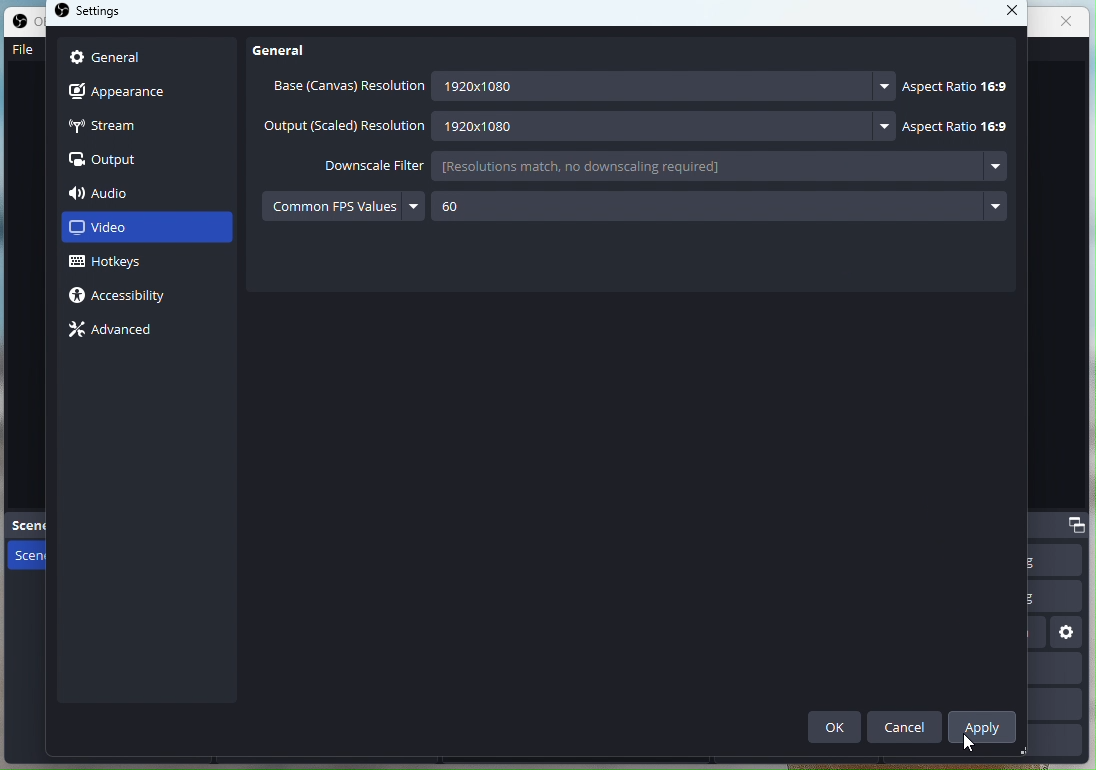 The height and width of the screenshot is (770, 1096). What do you see at coordinates (143, 127) in the screenshot?
I see `Stream` at bounding box center [143, 127].